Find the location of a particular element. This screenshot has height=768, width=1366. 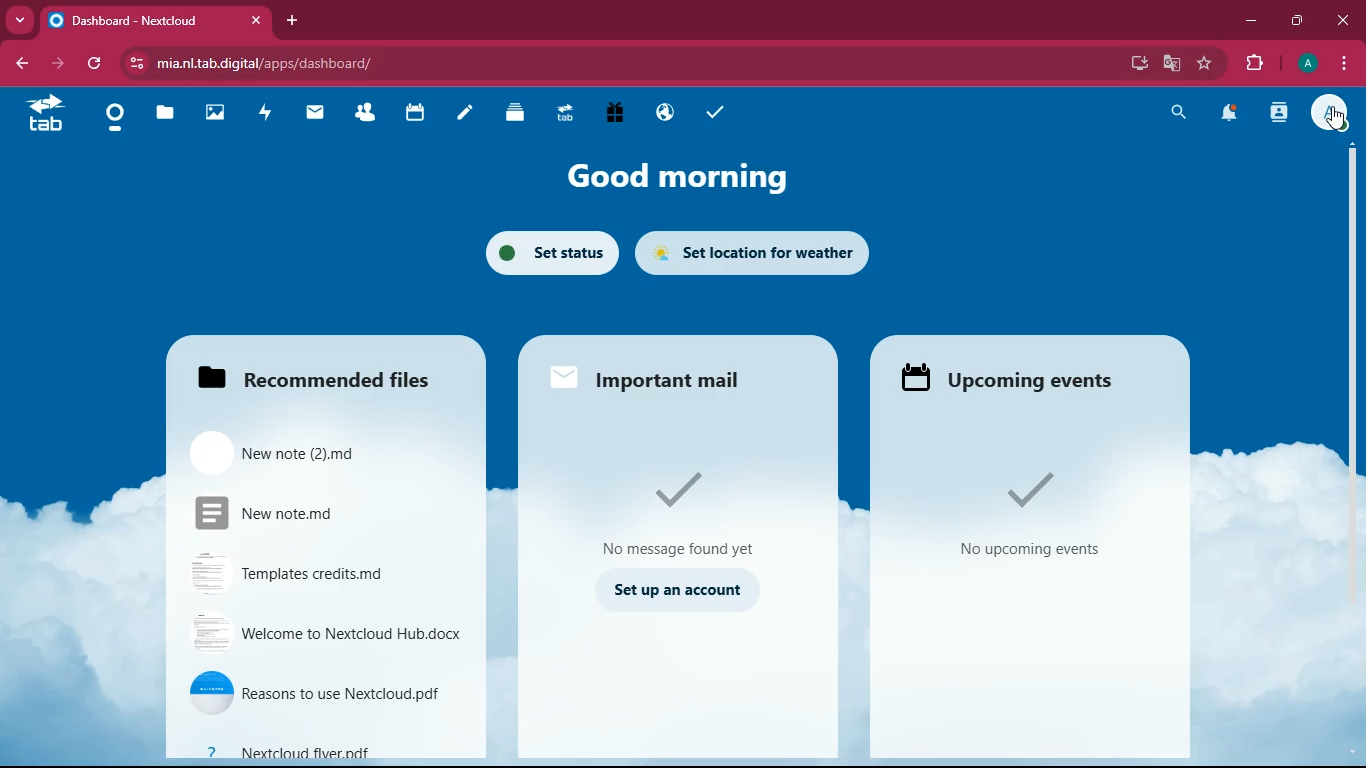

file is located at coordinates (307, 451).